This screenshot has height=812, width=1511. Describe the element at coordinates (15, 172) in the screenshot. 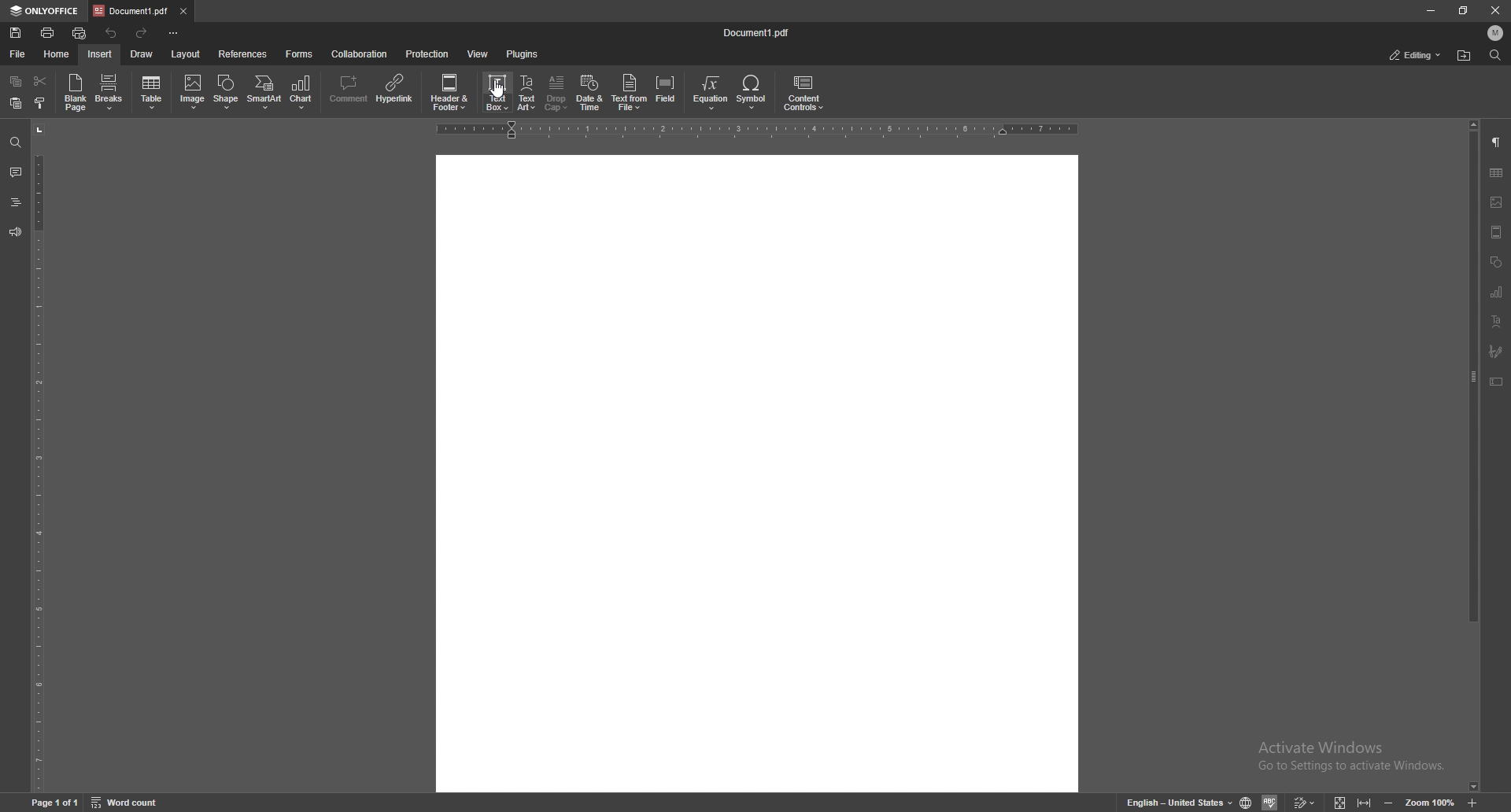

I see `comment` at that location.